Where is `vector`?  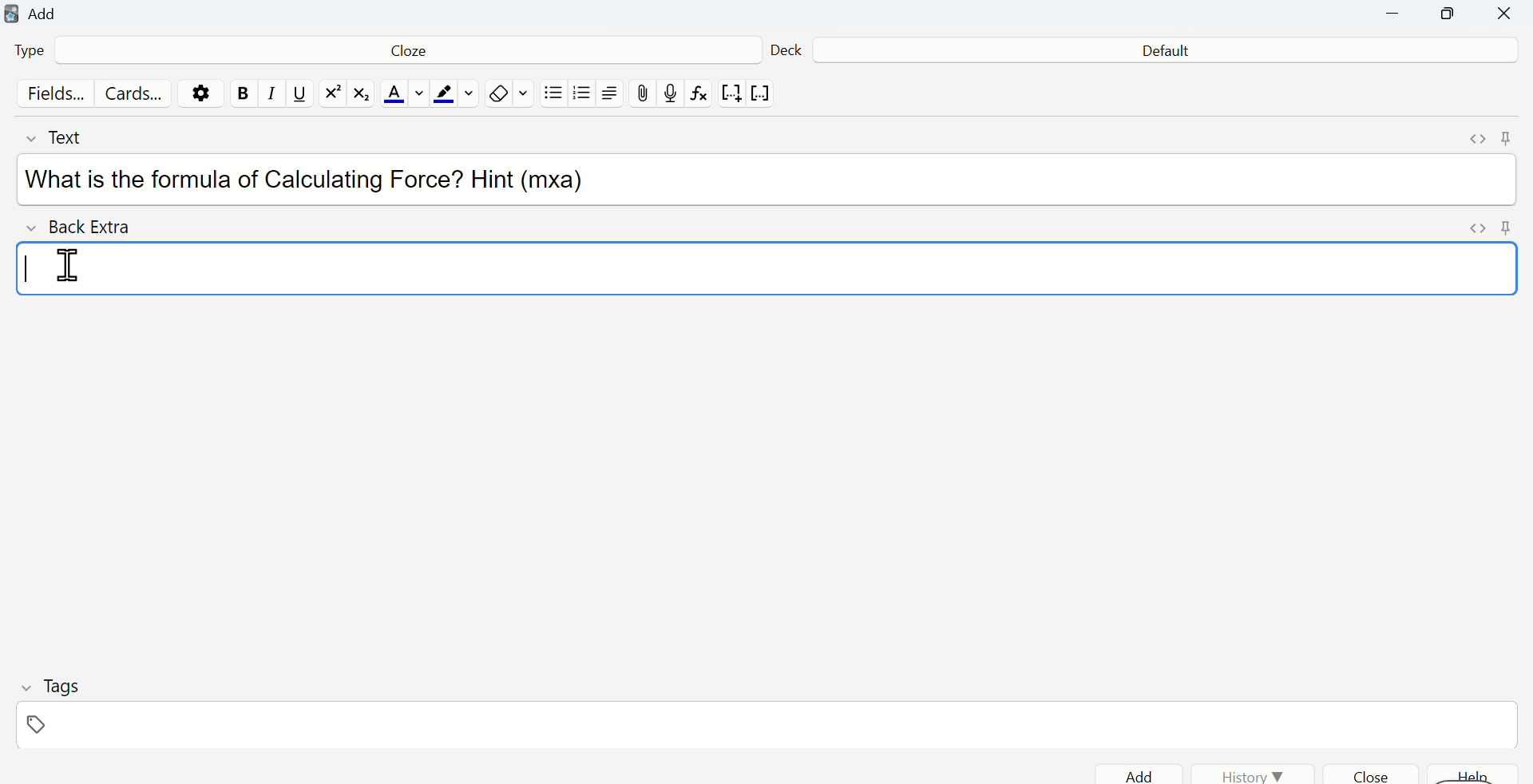
vector is located at coordinates (763, 94).